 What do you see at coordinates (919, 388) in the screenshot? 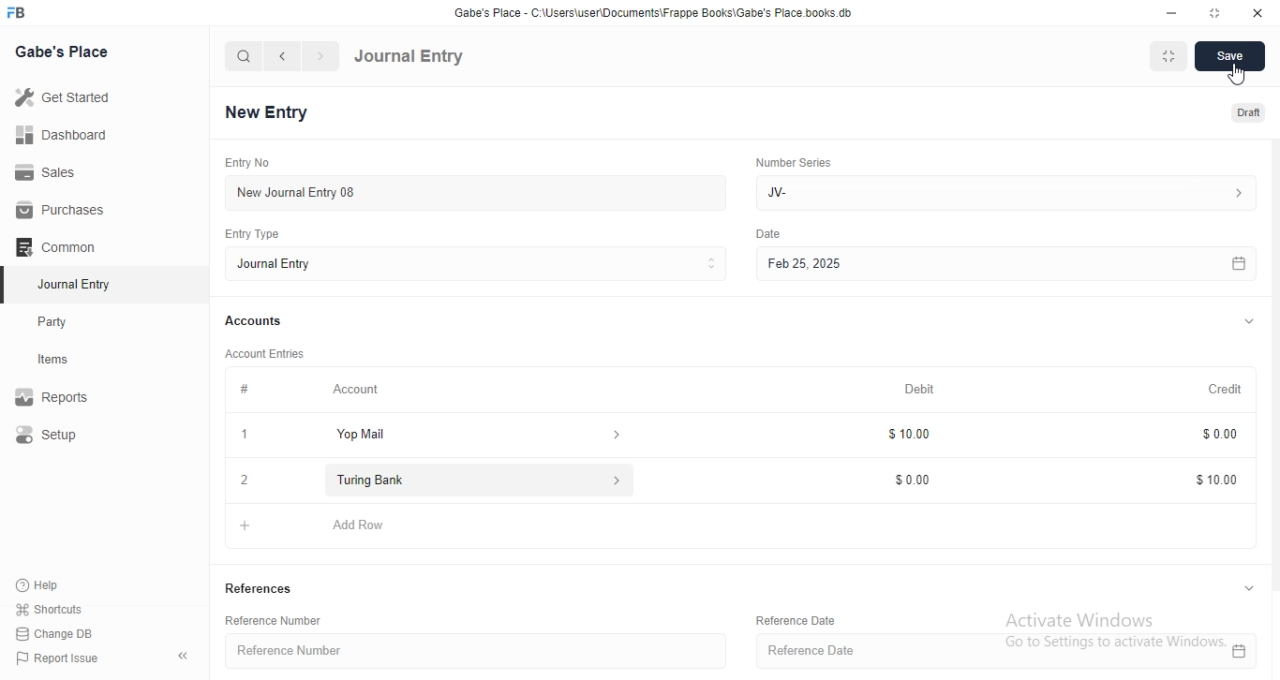
I see `Debit` at bounding box center [919, 388].